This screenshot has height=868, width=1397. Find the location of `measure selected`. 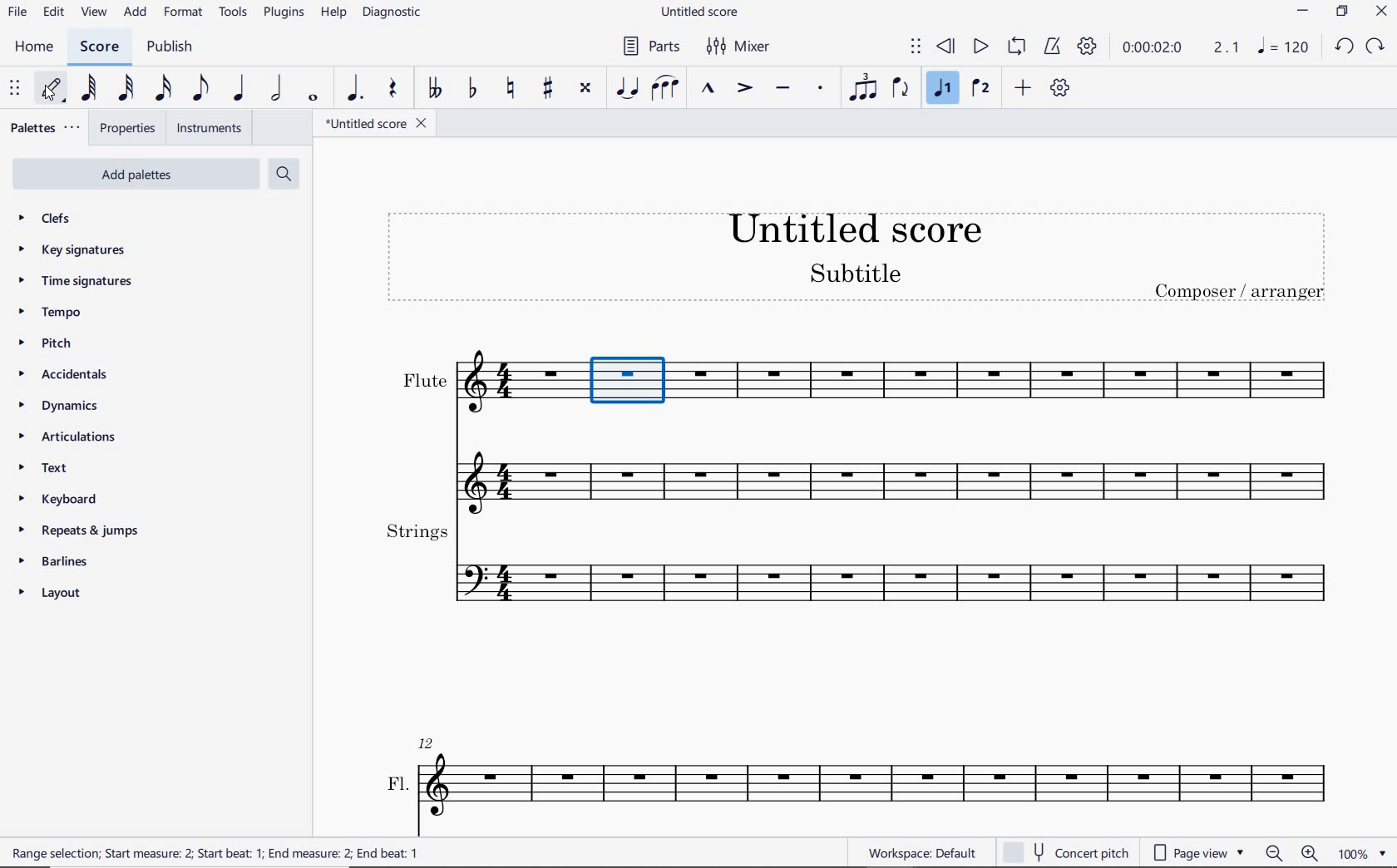

measure selected is located at coordinates (629, 386).